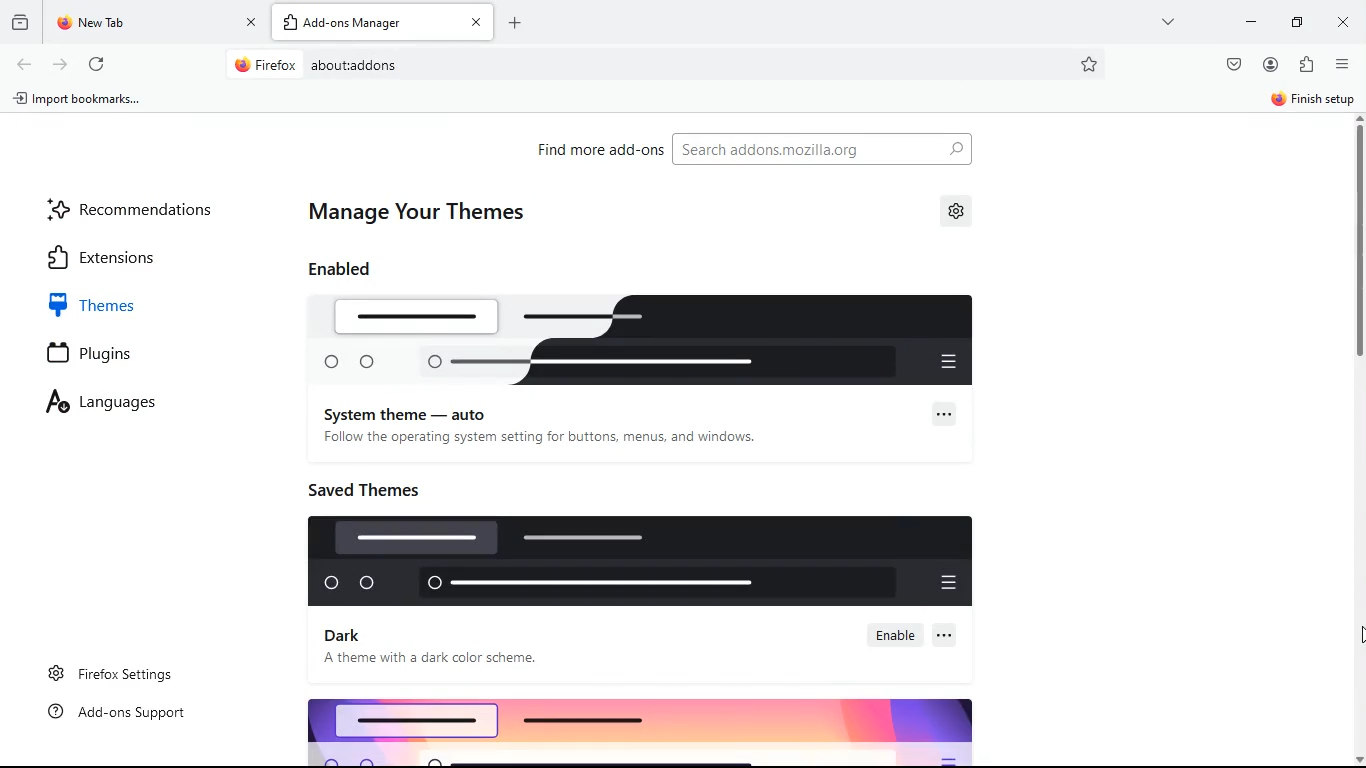 Image resolution: width=1366 pixels, height=768 pixels. I want to click on pocket, so click(1236, 67).